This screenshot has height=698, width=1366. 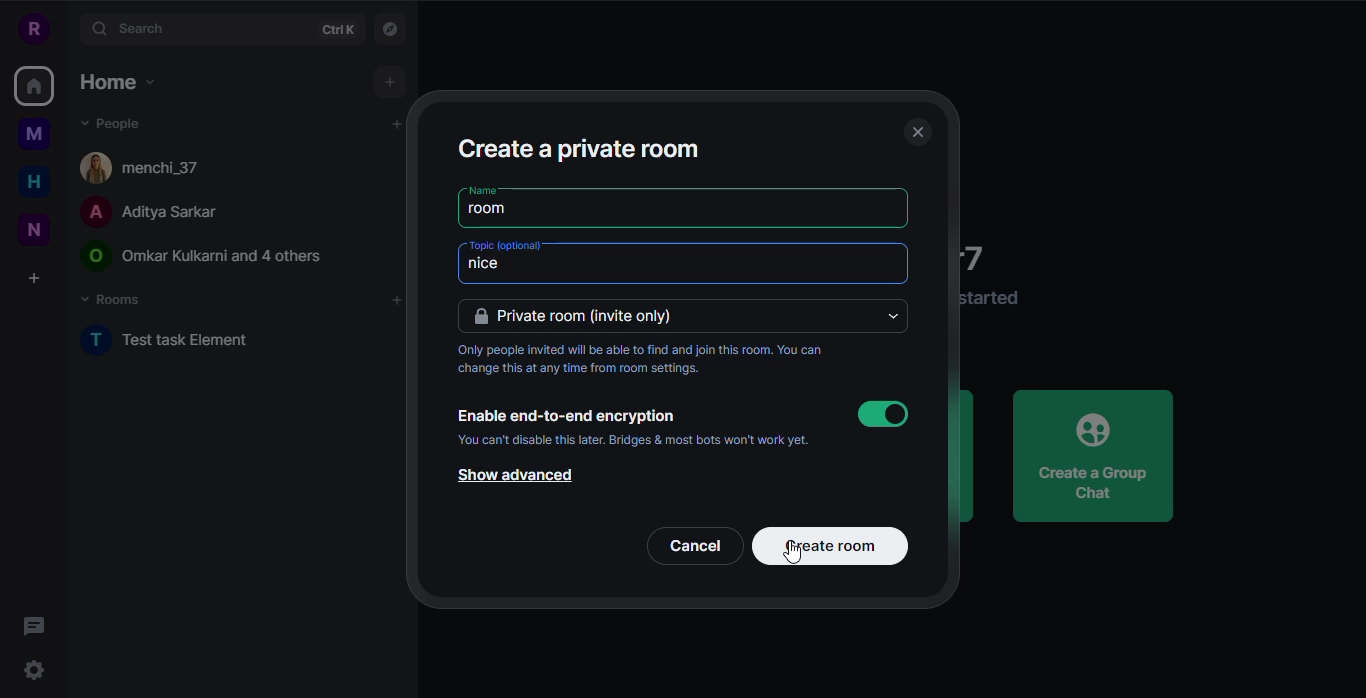 What do you see at coordinates (507, 245) in the screenshot?
I see `topic` at bounding box center [507, 245].